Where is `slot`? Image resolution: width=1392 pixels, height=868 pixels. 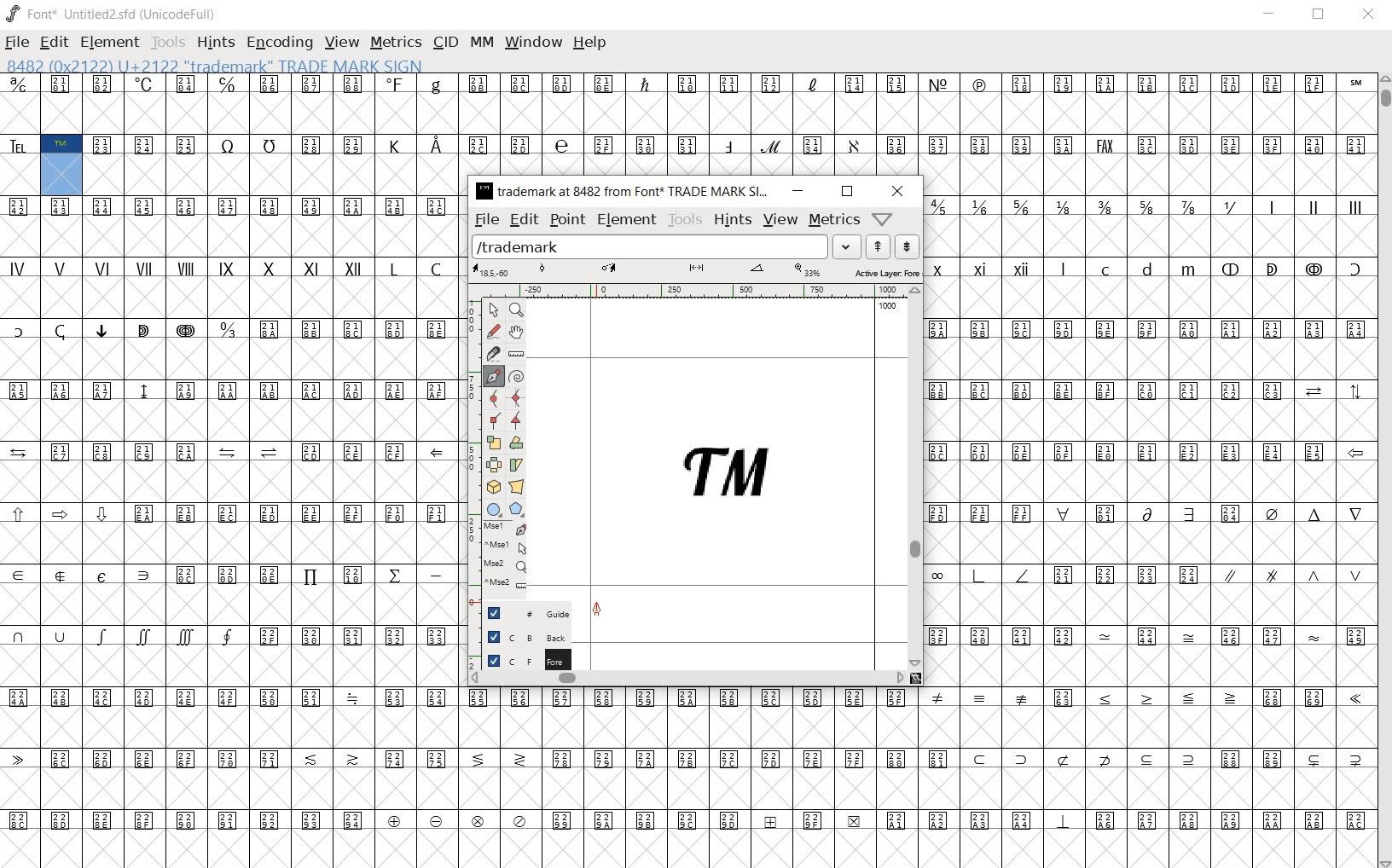
slot is located at coordinates (687, 849).